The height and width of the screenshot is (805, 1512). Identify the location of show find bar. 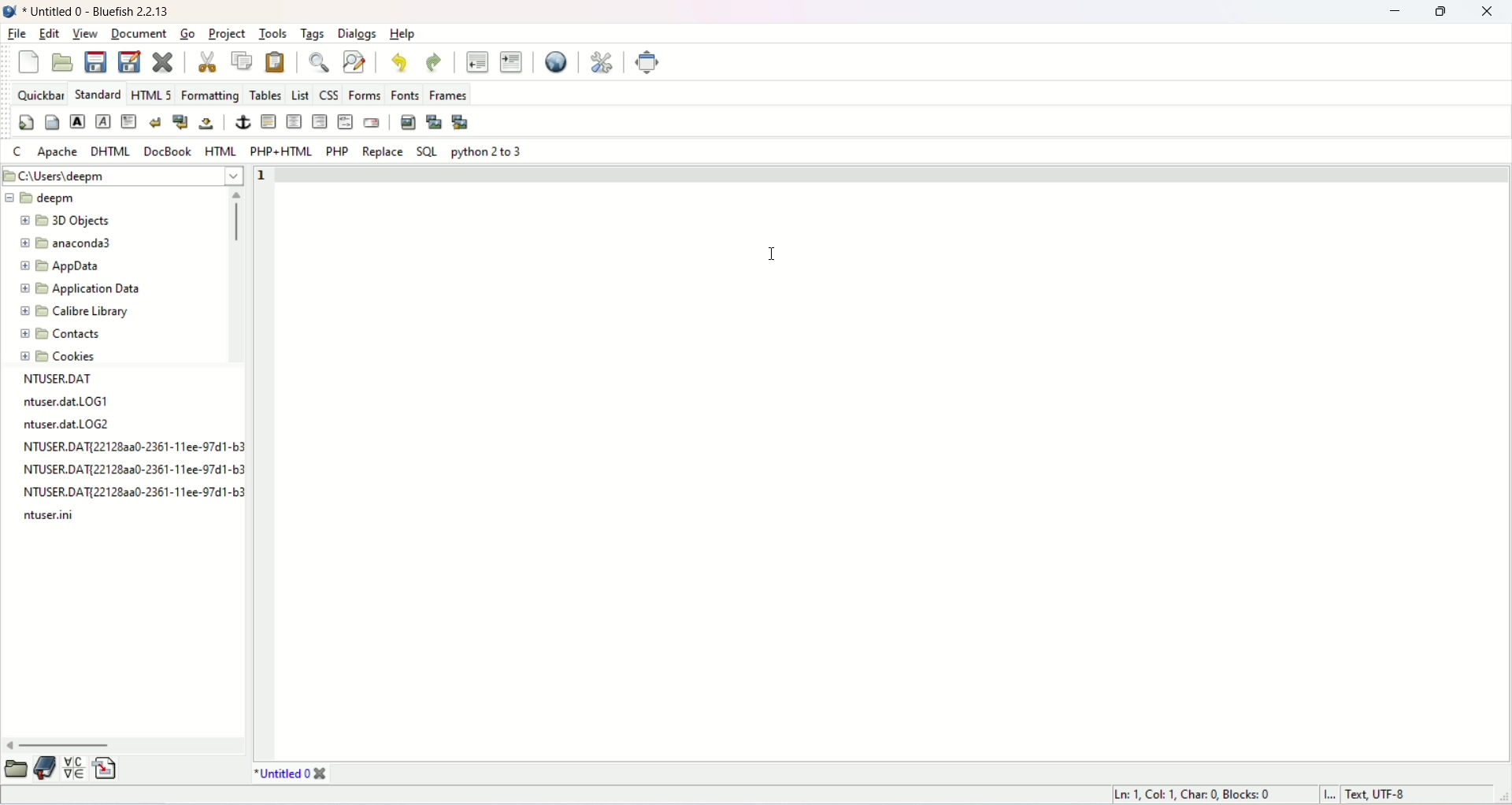
(315, 65).